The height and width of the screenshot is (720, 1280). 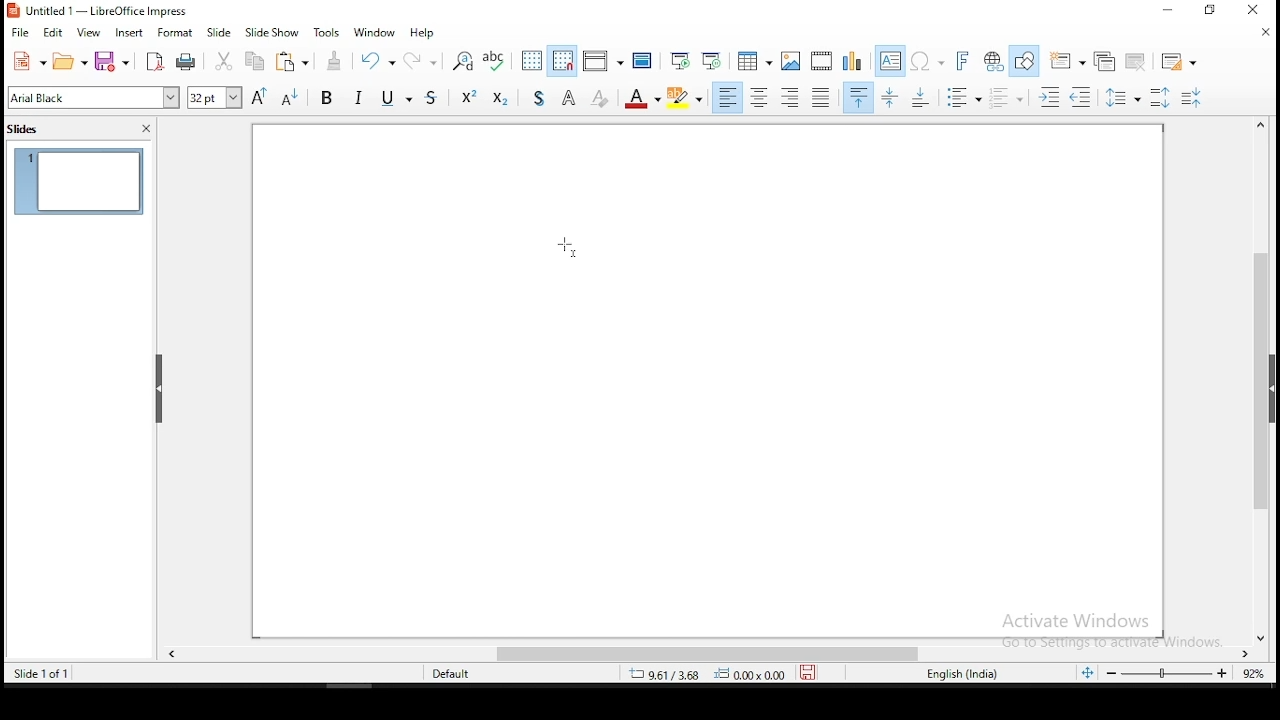 What do you see at coordinates (375, 33) in the screenshot?
I see `window` at bounding box center [375, 33].